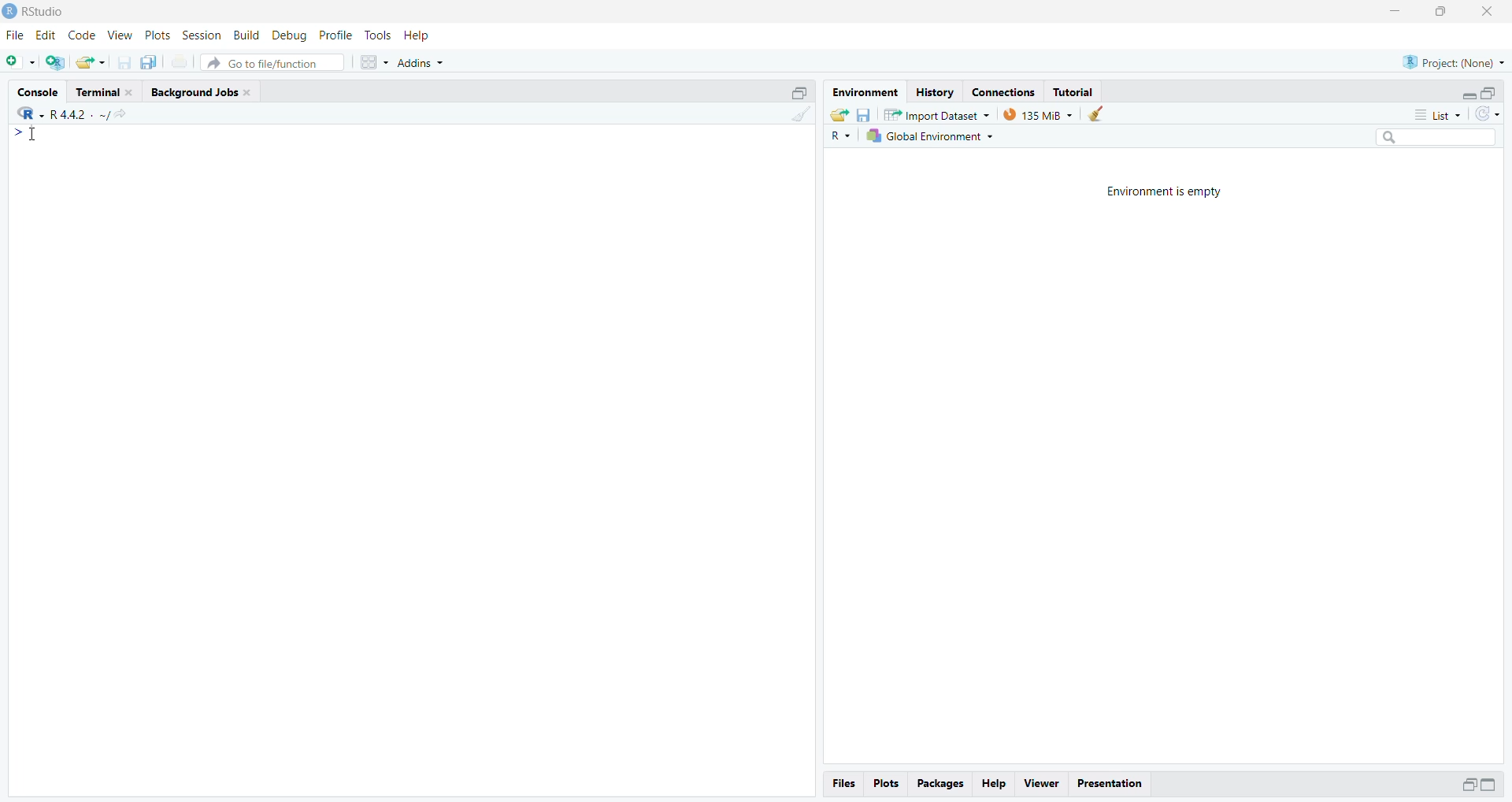  Describe the element at coordinates (1489, 91) in the screenshot. I see `Maximize` at that location.